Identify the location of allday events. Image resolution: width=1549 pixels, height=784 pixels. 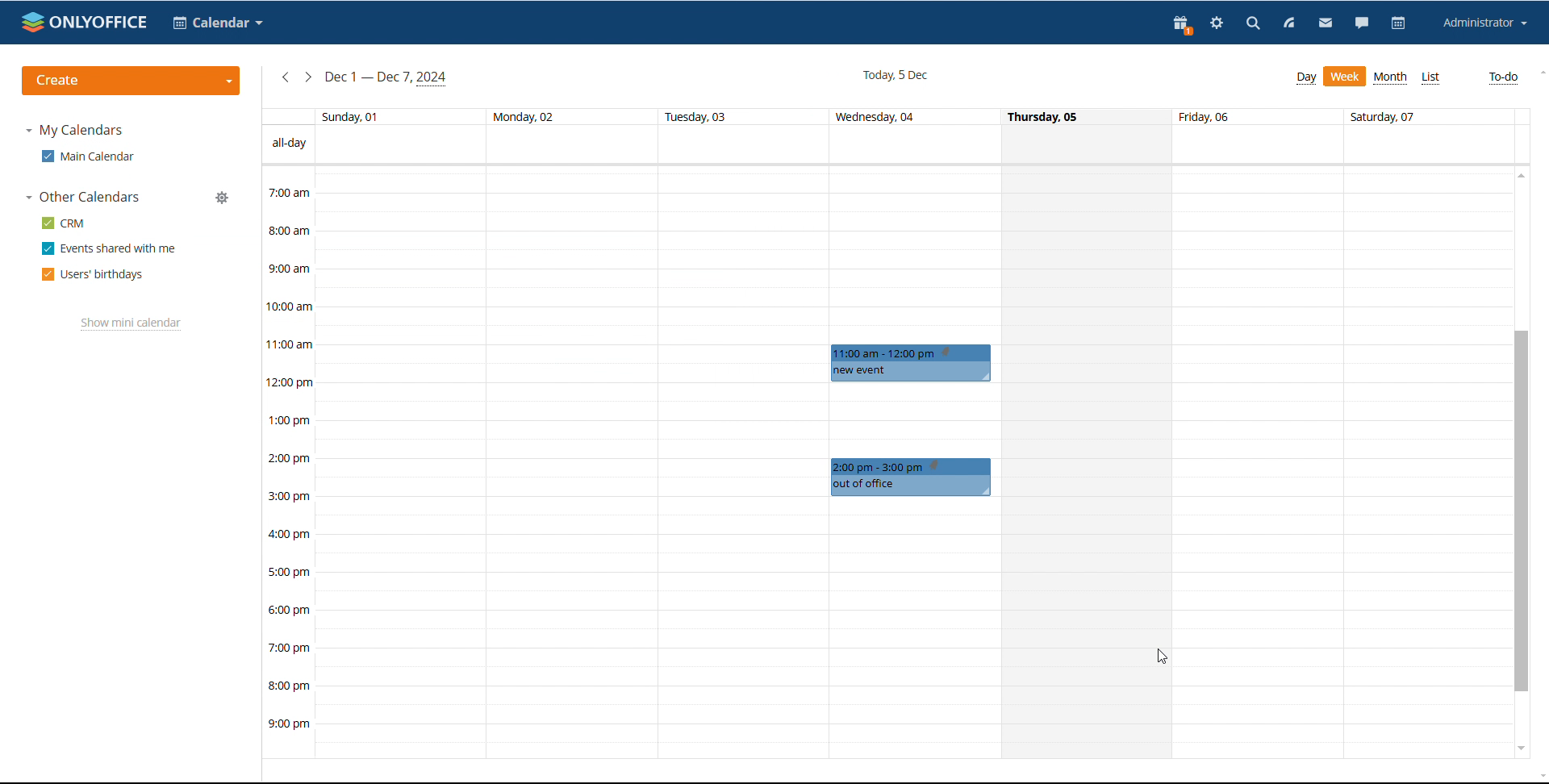
(888, 144).